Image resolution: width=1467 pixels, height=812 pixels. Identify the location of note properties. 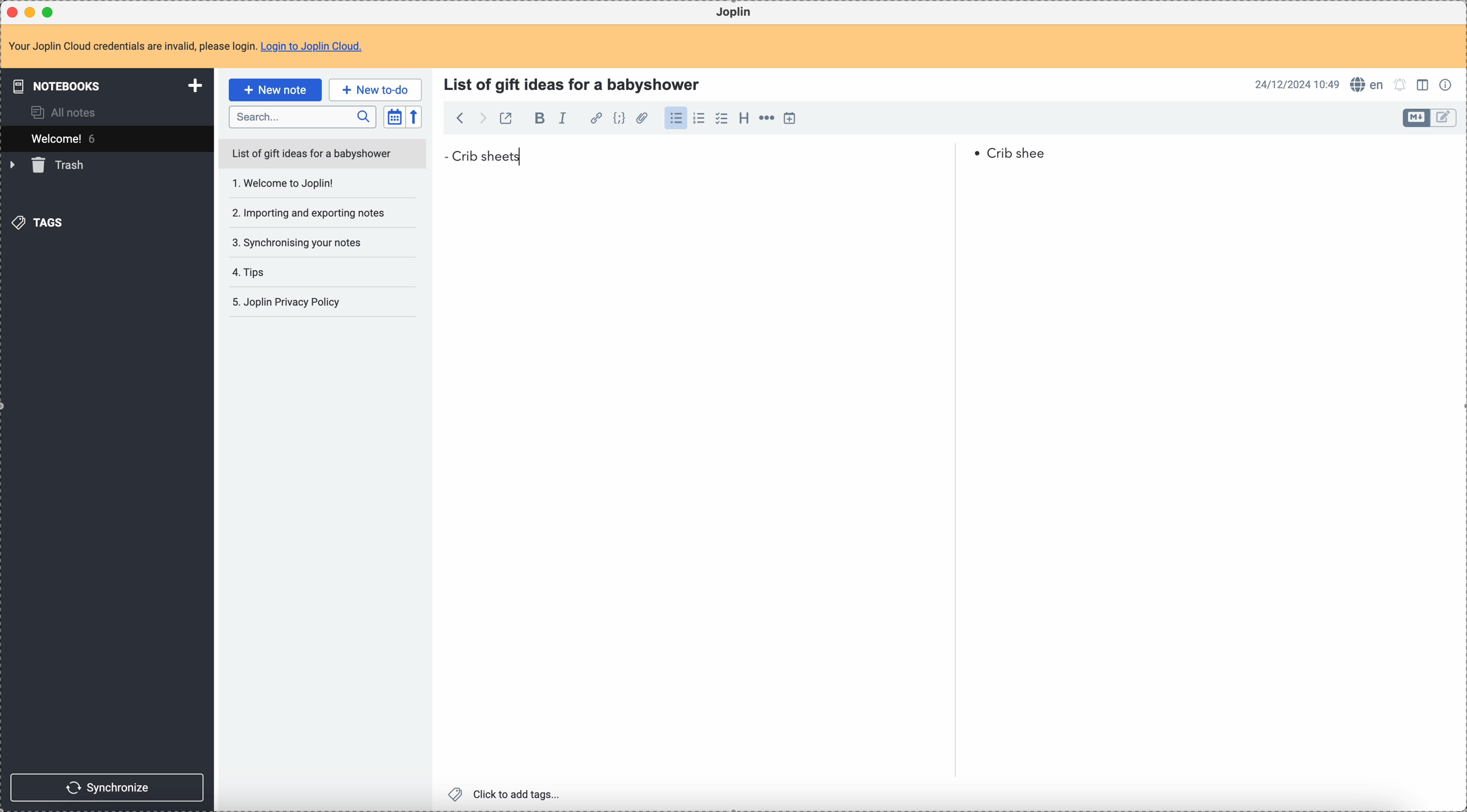
(1448, 84).